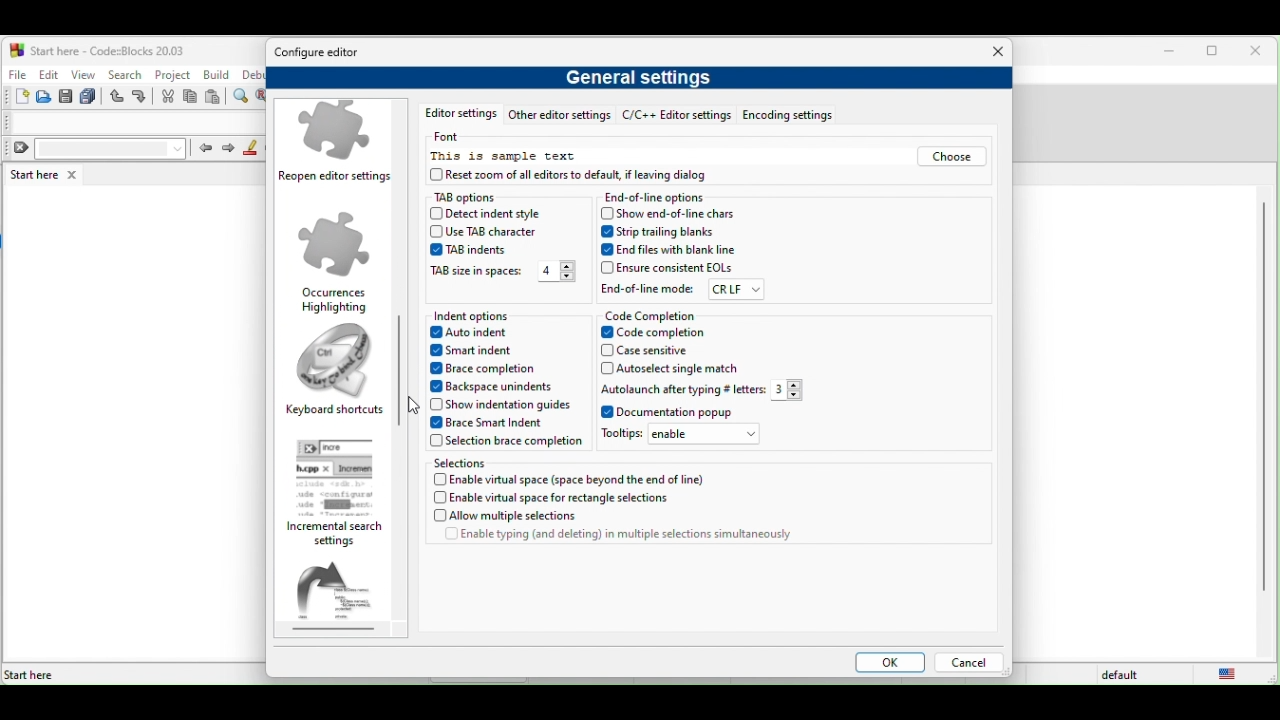 The height and width of the screenshot is (720, 1280). Describe the element at coordinates (142, 97) in the screenshot. I see `redo` at that location.